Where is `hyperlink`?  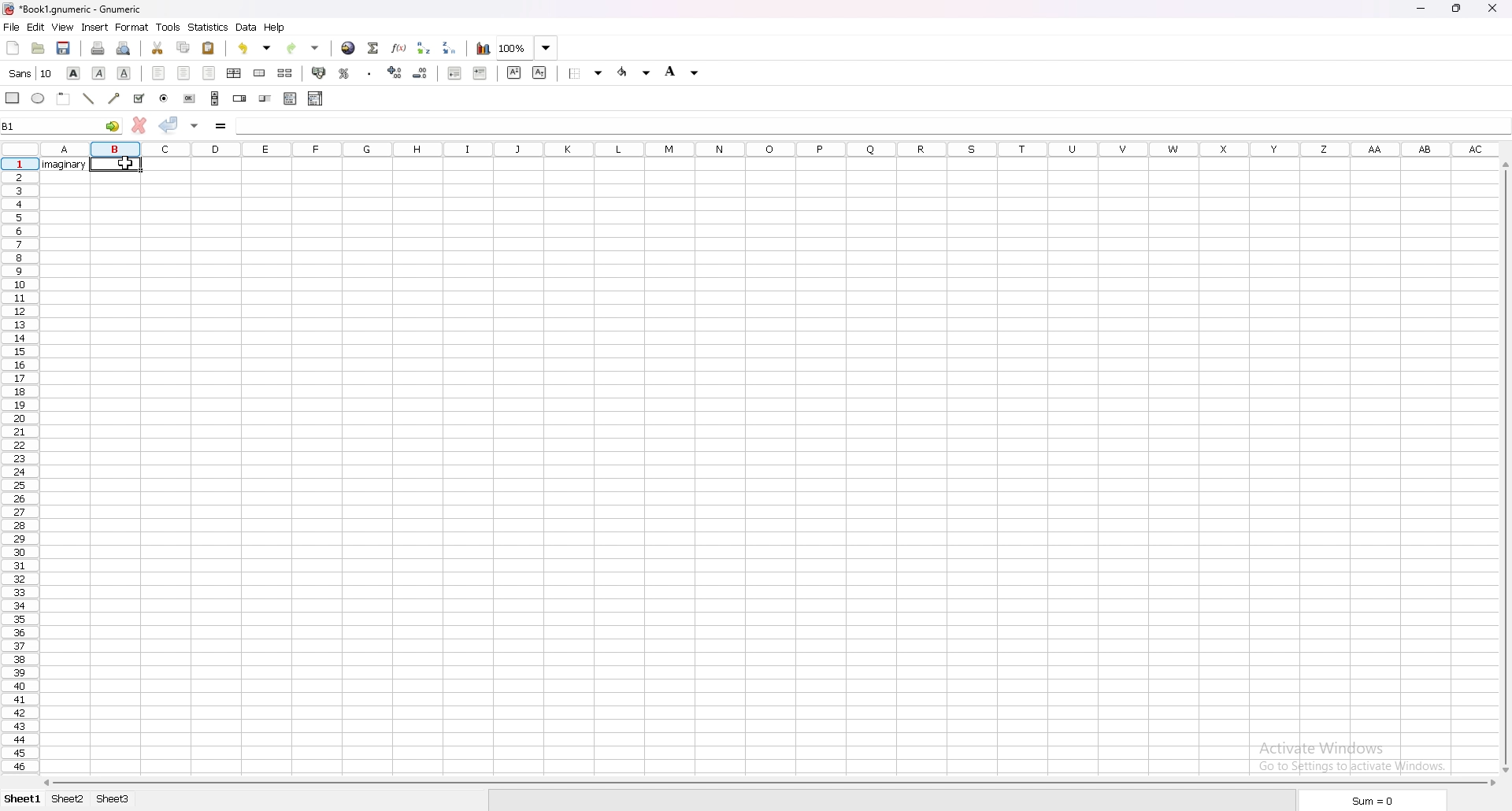
hyperlink is located at coordinates (349, 48).